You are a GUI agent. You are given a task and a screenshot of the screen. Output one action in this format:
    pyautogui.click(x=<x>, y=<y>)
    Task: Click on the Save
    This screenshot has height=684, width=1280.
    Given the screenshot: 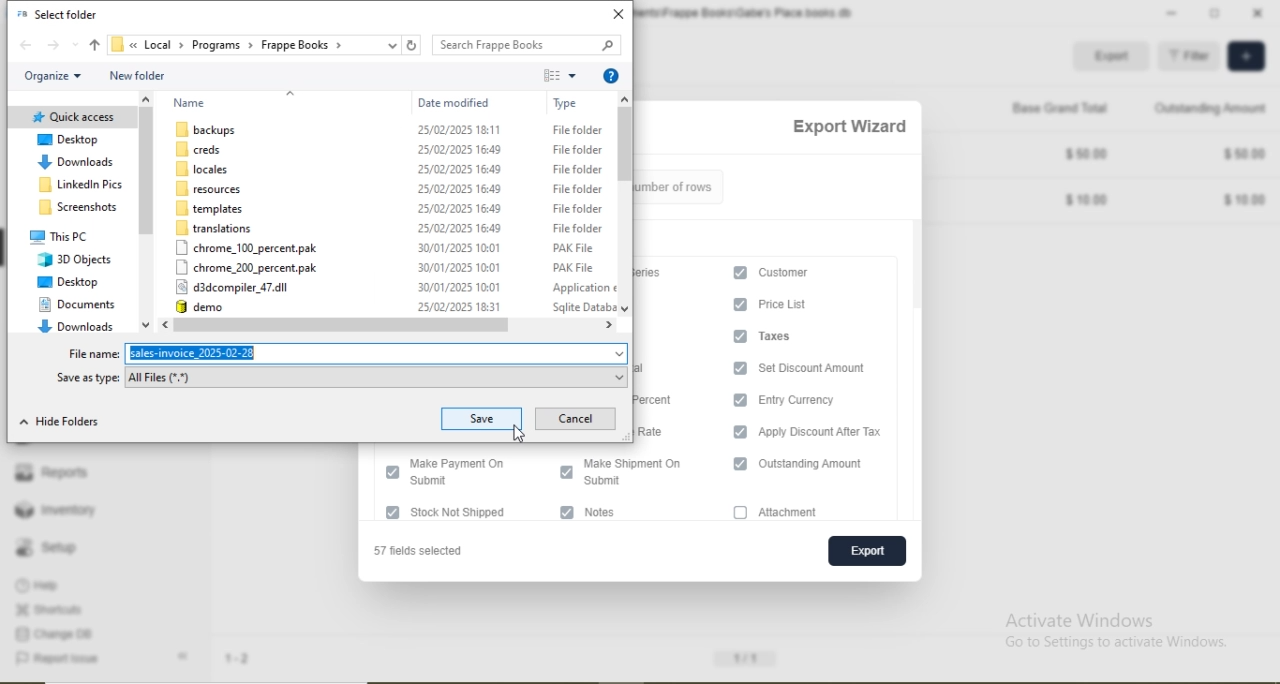 What is the action you would take?
    pyautogui.click(x=483, y=418)
    